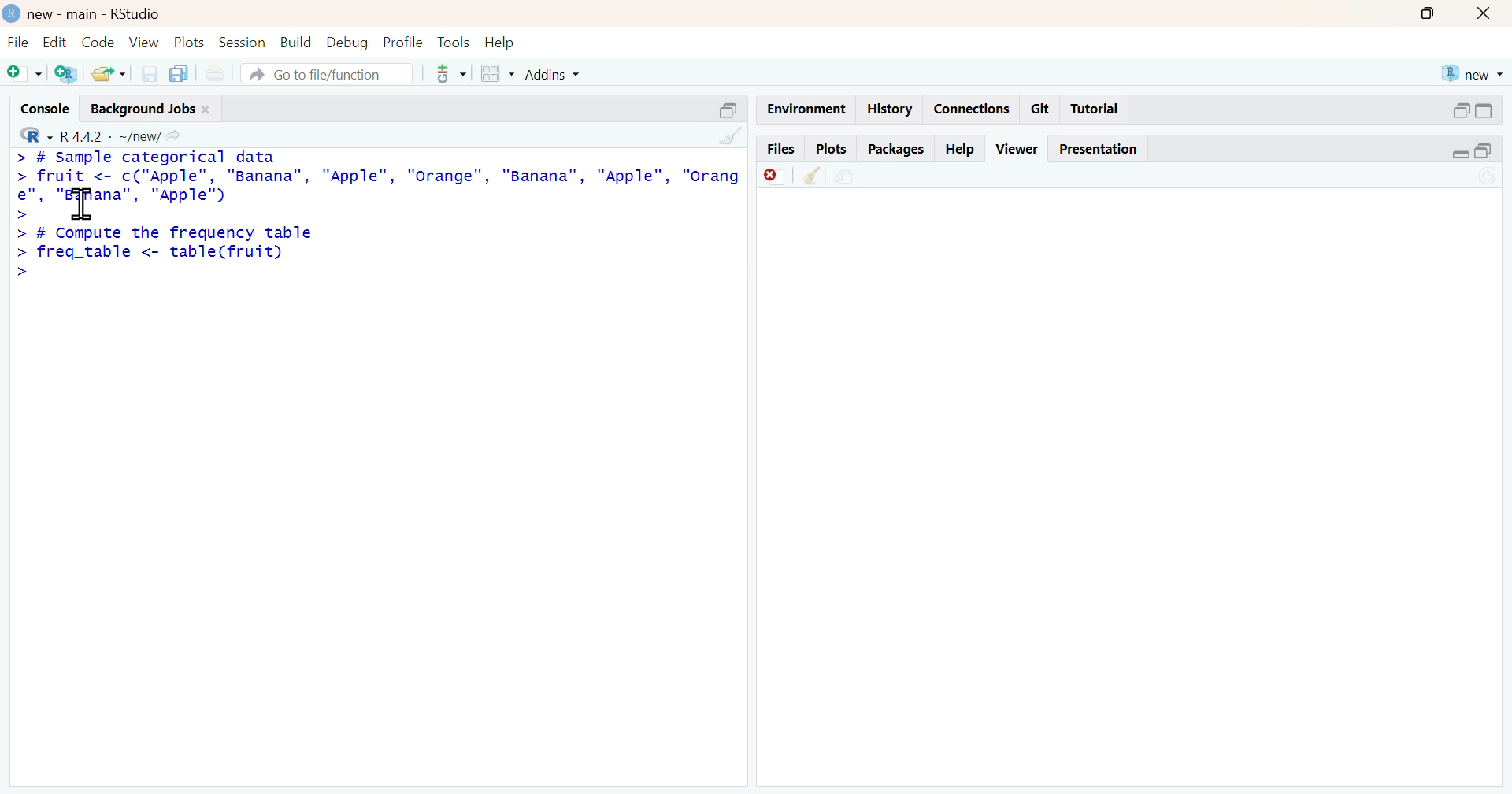  Describe the element at coordinates (782, 149) in the screenshot. I see `files` at that location.